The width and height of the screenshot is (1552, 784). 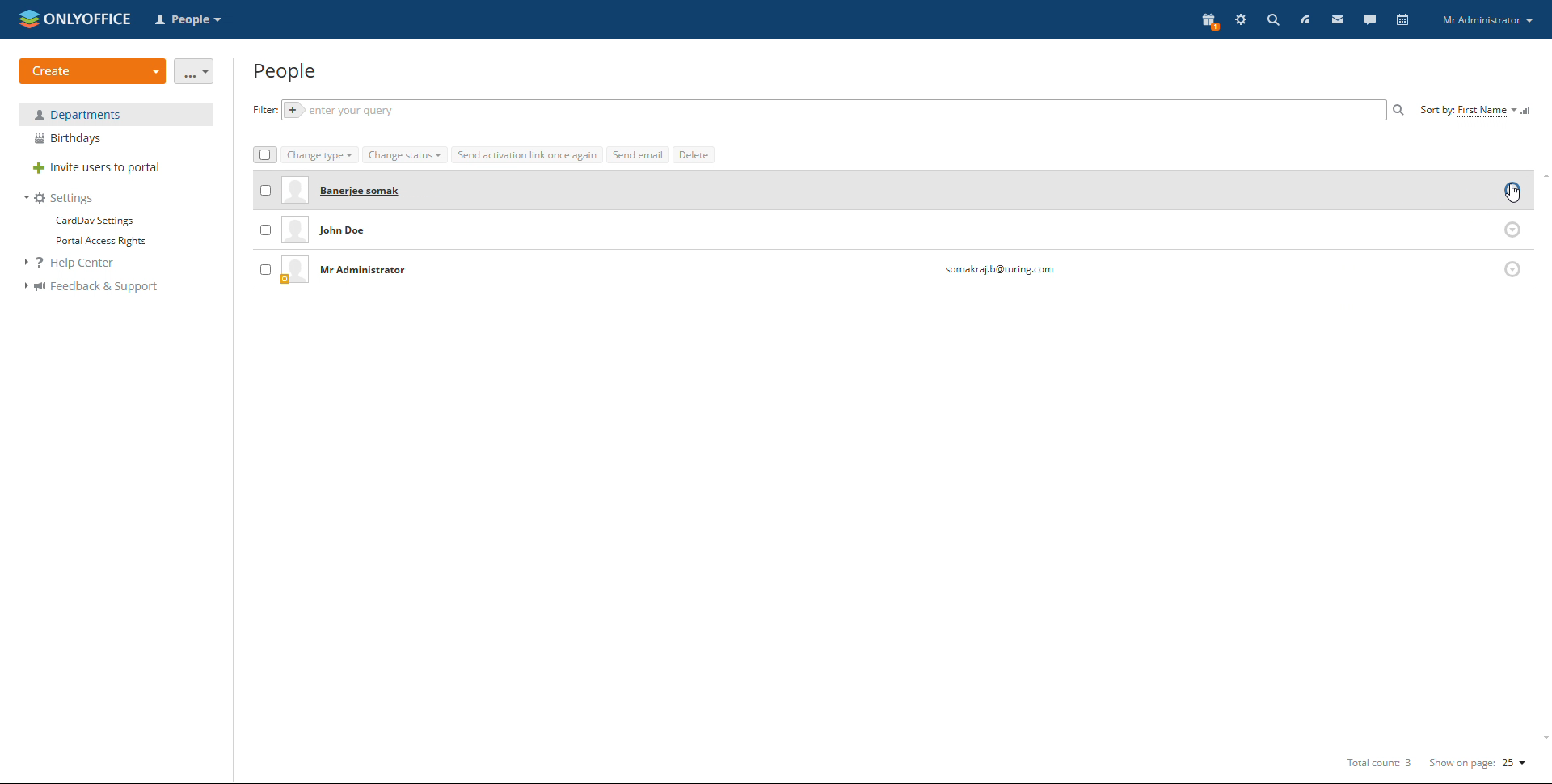 What do you see at coordinates (95, 242) in the screenshot?
I see `portal access rights` at bounding box center [95, 242].